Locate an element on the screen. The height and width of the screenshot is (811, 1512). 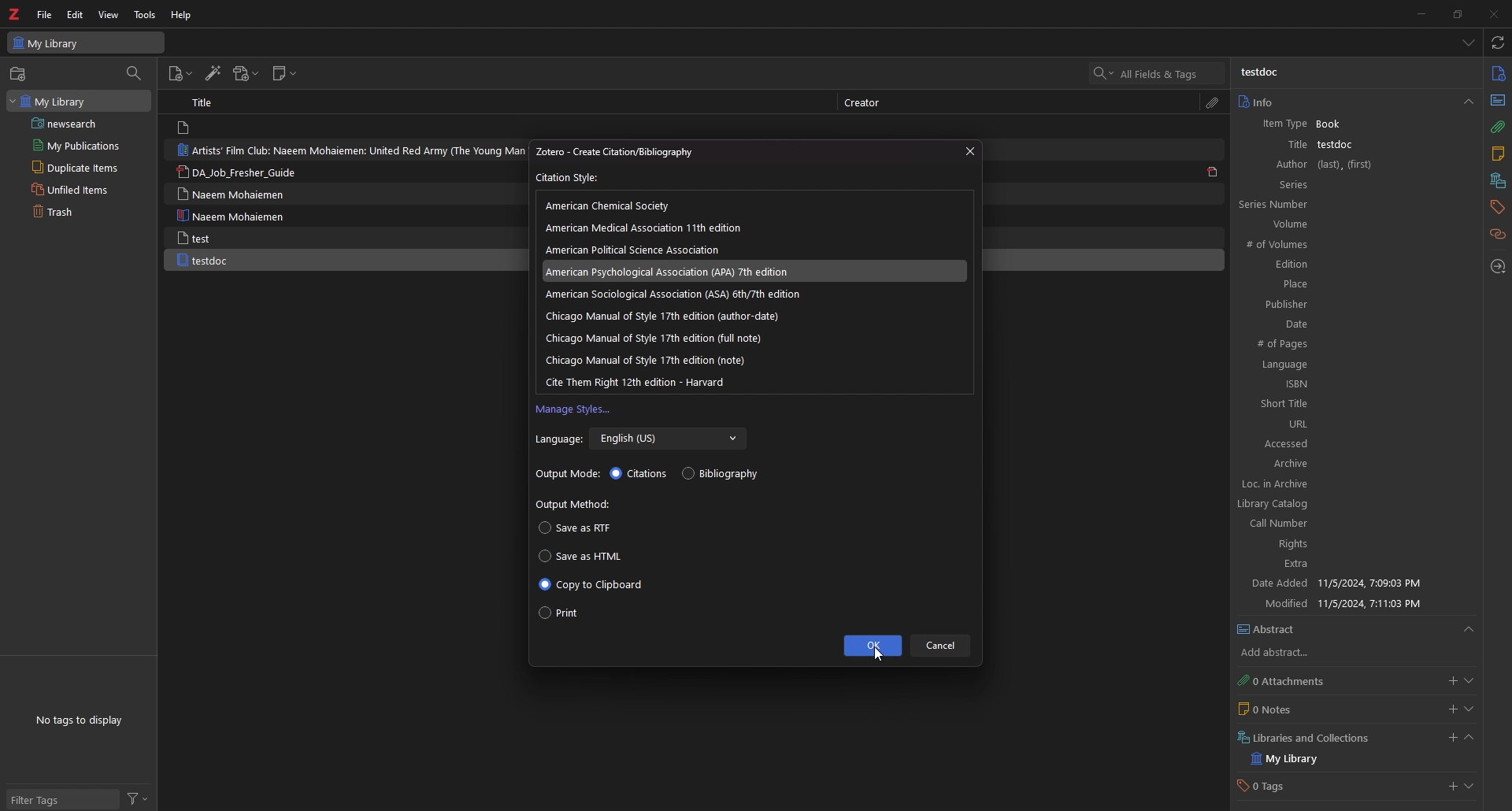
pdf is located at coordinates (1213, 171).